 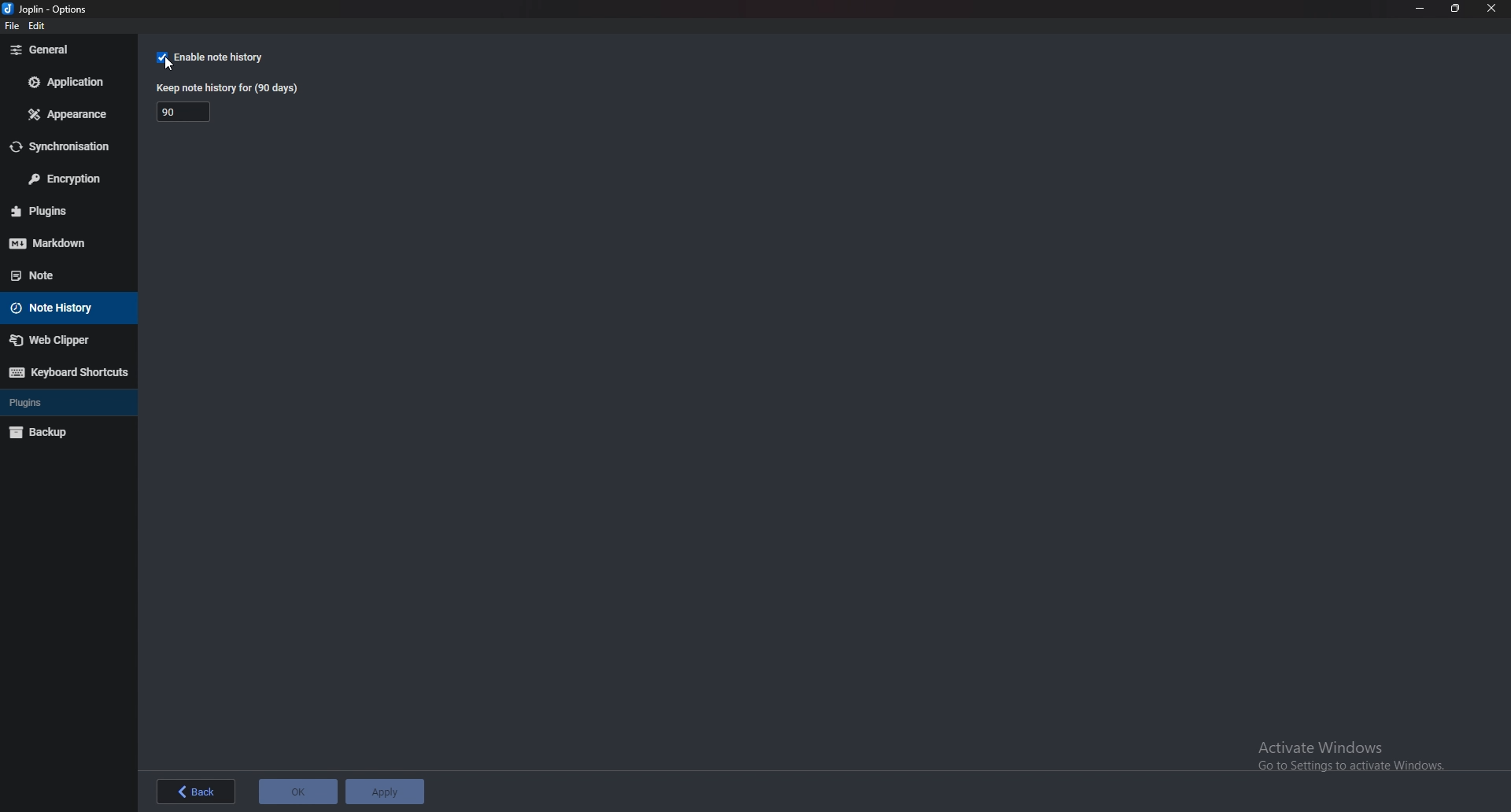 What do you see at coordinates (69, 82) in the screenshot?
I see `Application` at bounding box center [69, 82].